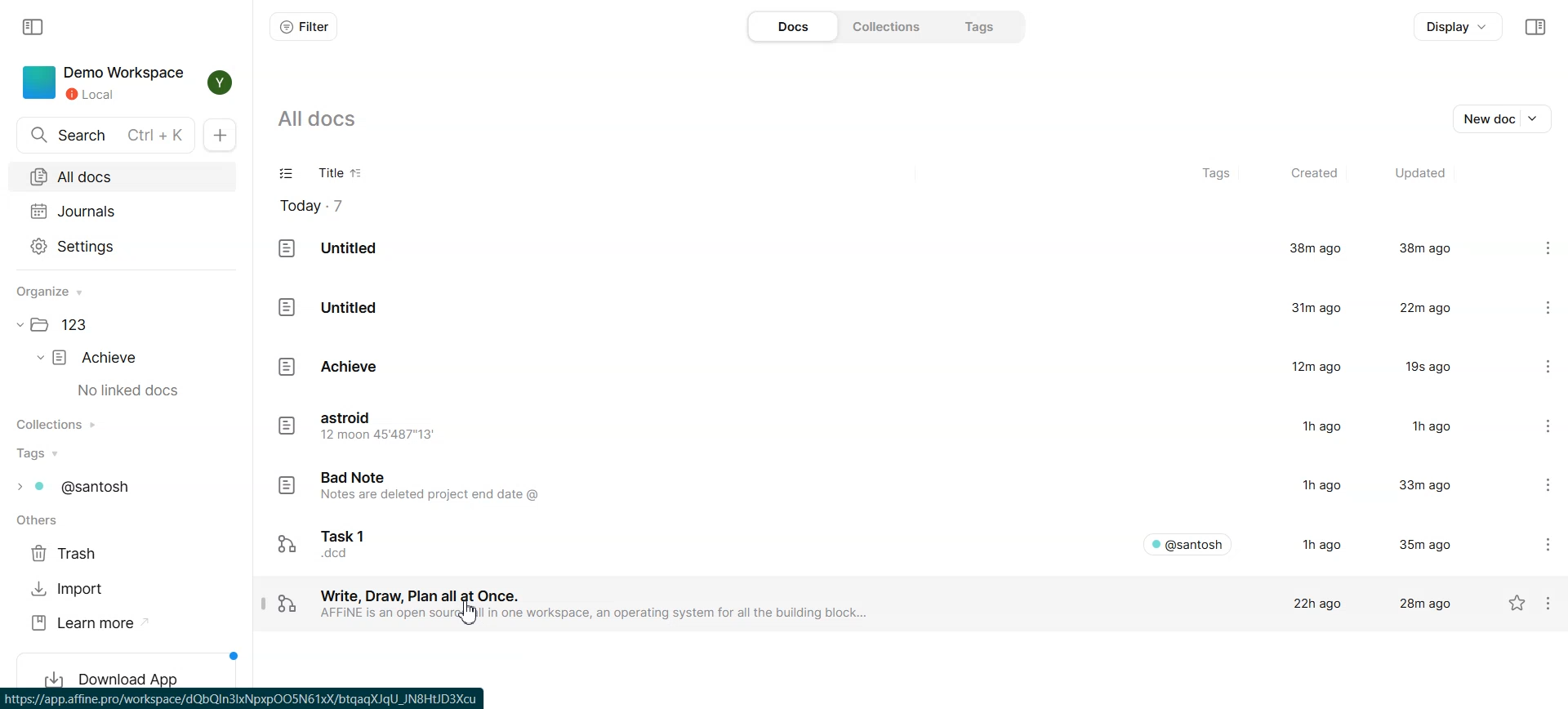 The width and height of the screenshot is (1568, 709). What do you see at coordinates (1535, 27) in the screenshot?
I see `Collapse sidebar` at bounding box center [1535, 27].